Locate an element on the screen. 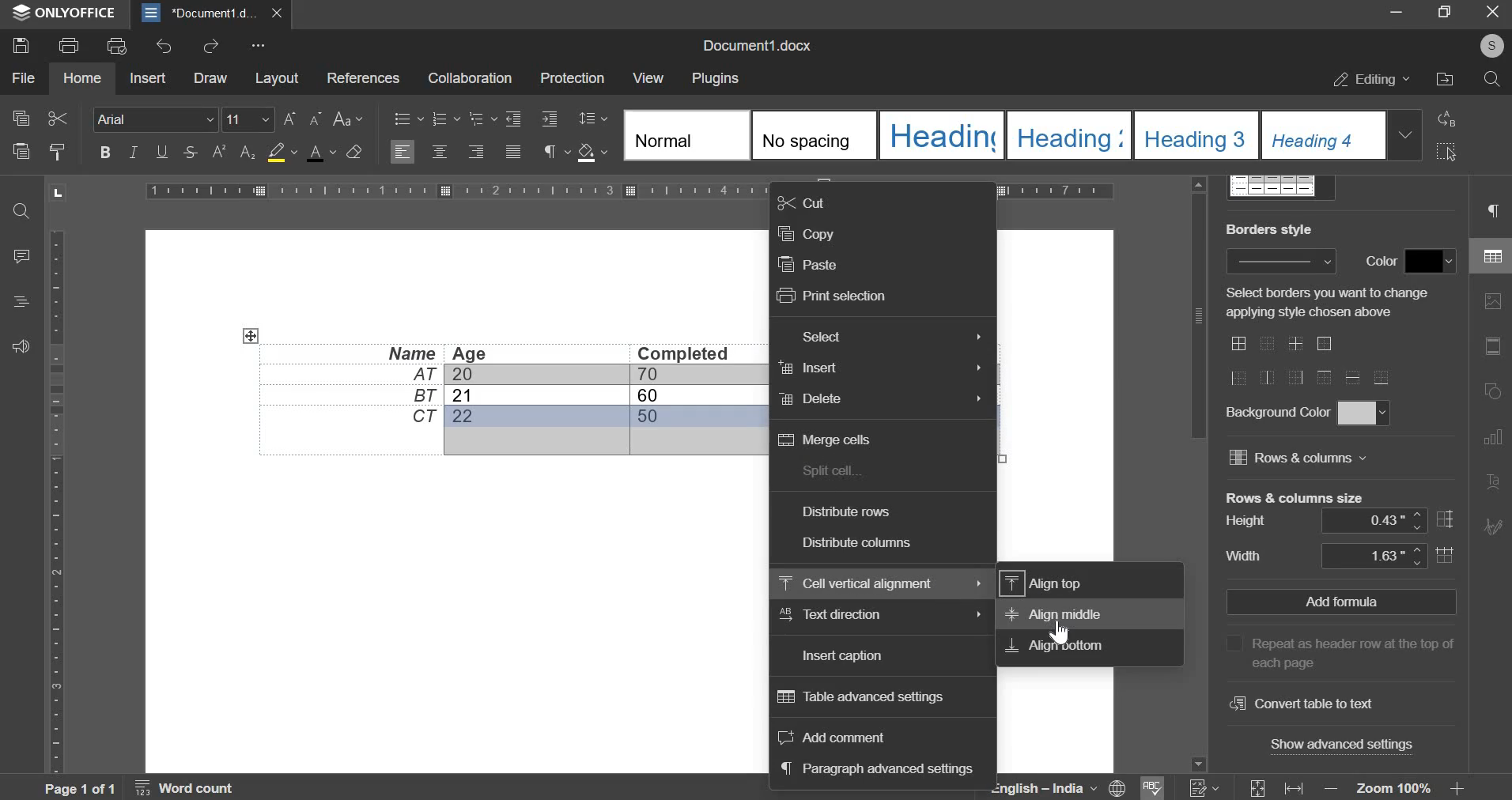 The width and height of the screenshot is (1512, 800). select is located at coordinates (820, 336).